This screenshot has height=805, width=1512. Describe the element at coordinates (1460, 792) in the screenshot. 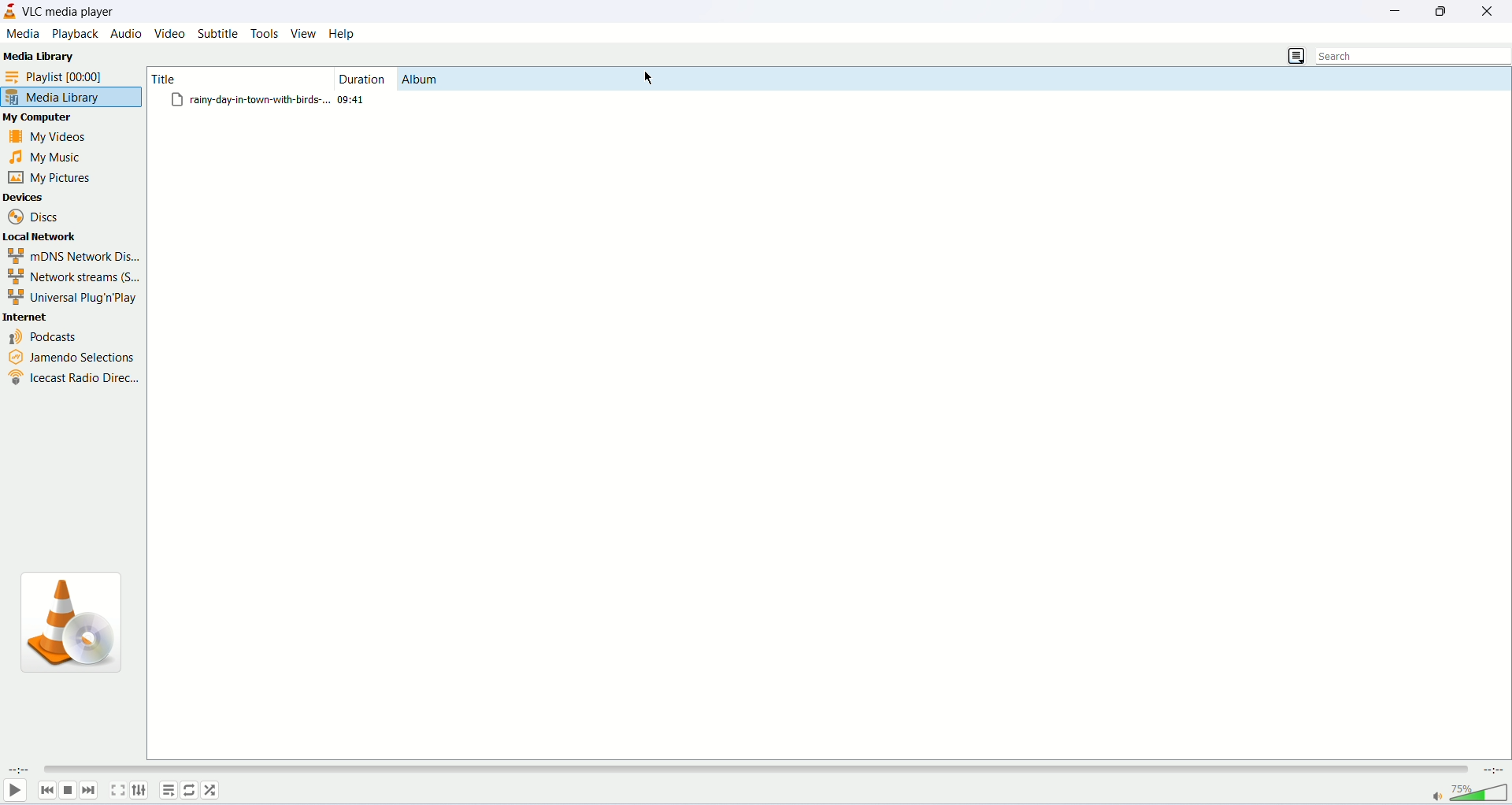

I see `volume bar` at that location.